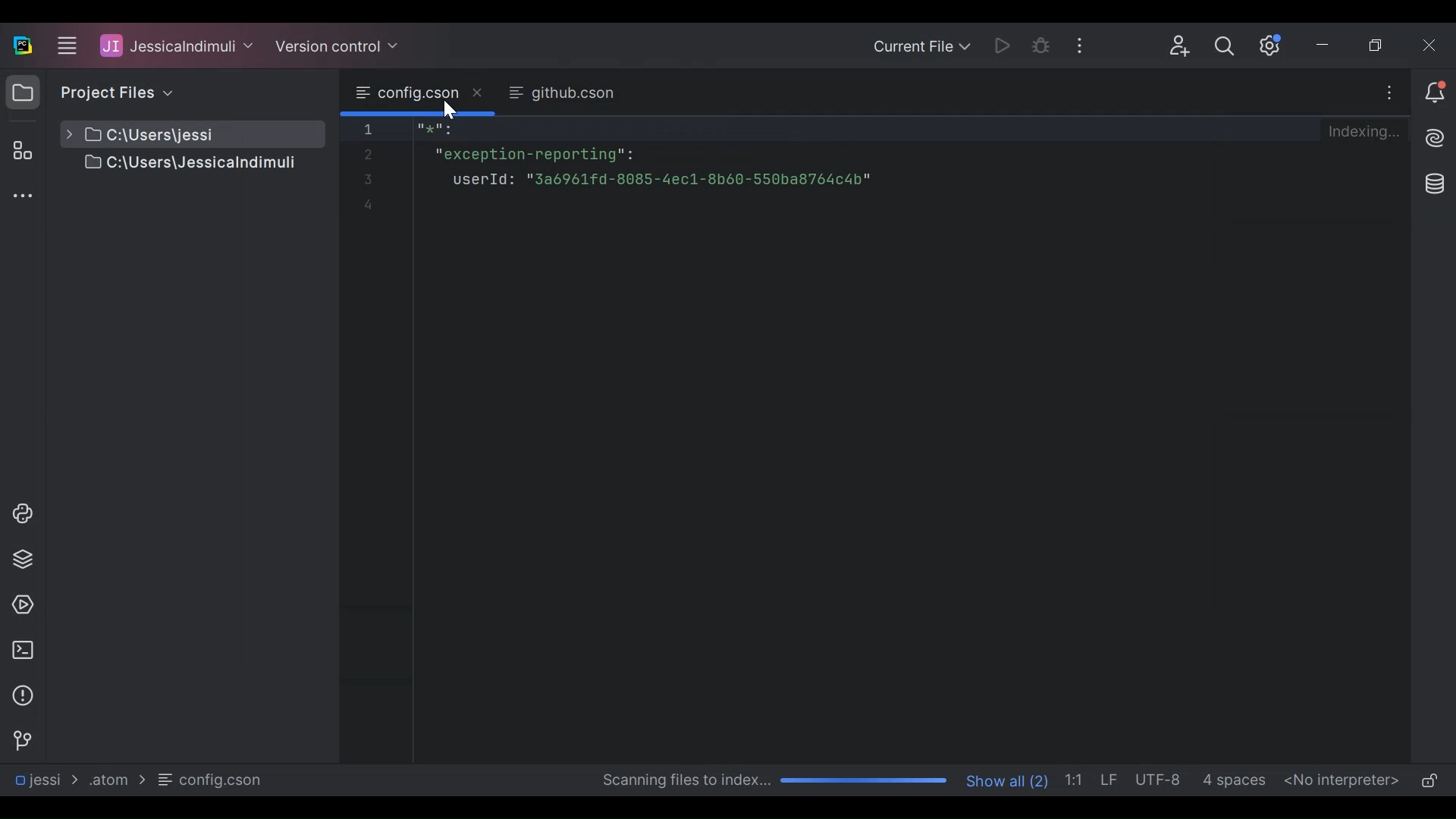 The image size is (1456, 819). Describe the element at coordinates (921, 46) in the screenshot. I see `Current File` at that location.